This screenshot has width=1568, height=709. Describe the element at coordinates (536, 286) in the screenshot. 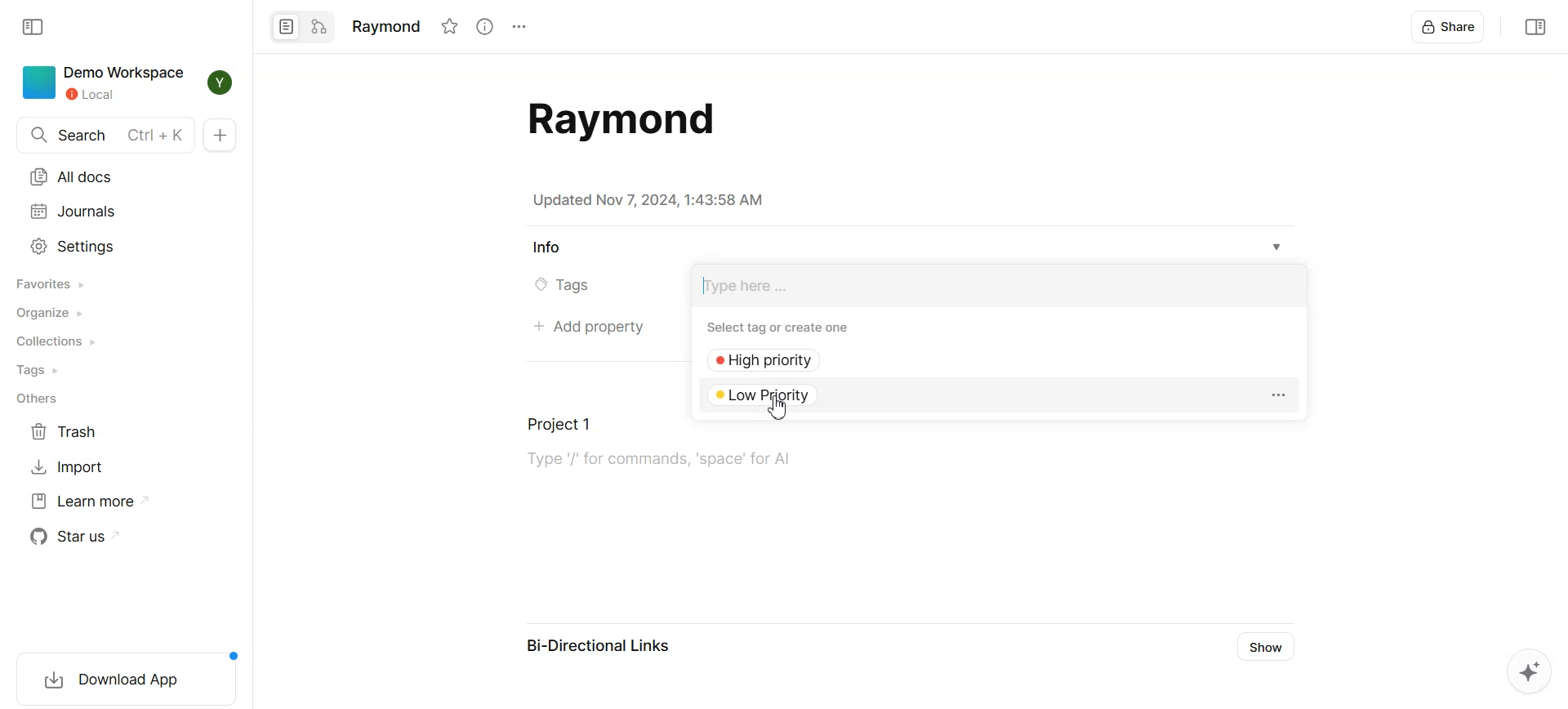

I see `Tag icon` at that location.